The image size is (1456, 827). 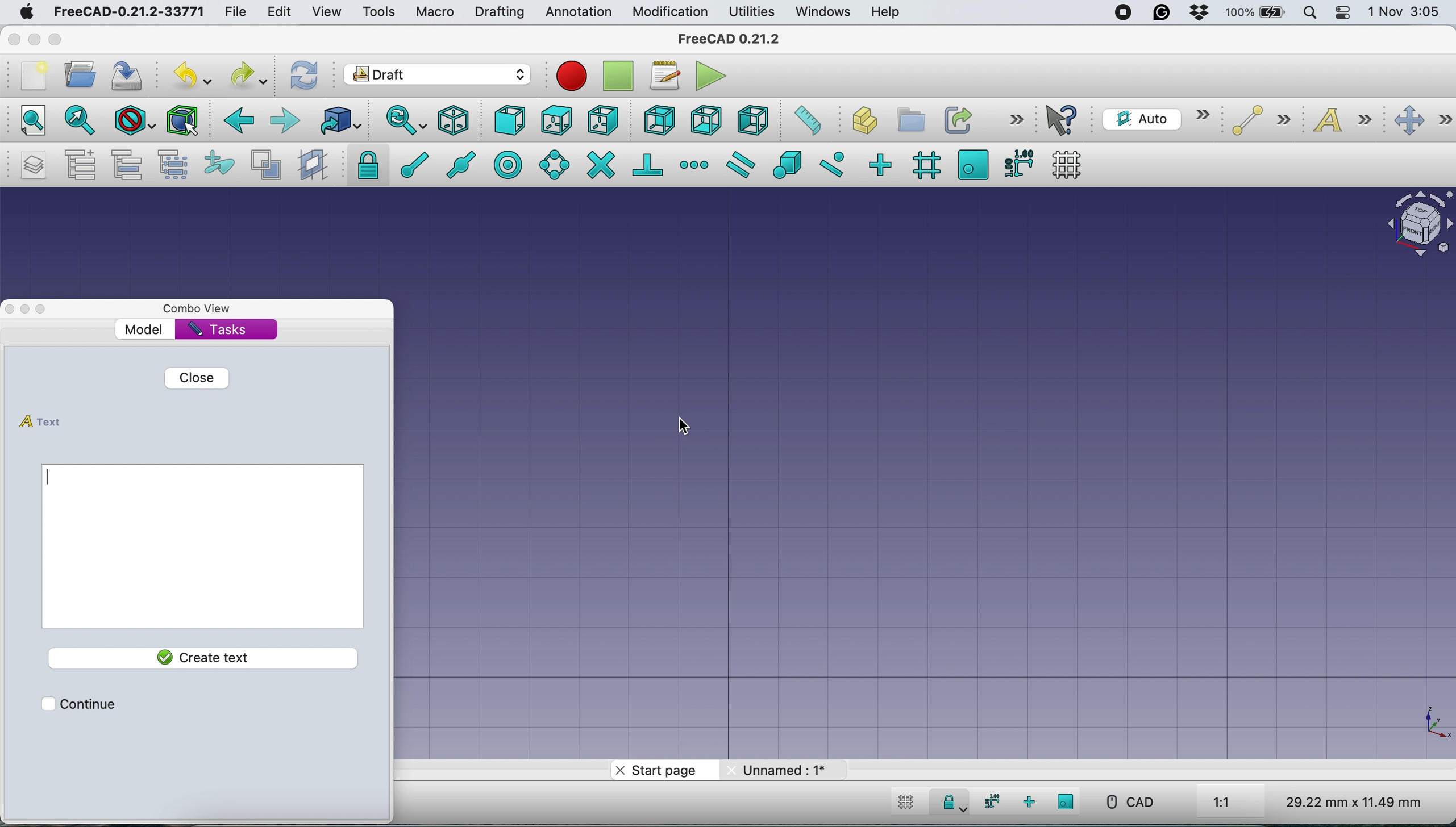 I want to click on macros, so click(x=667, y=74).